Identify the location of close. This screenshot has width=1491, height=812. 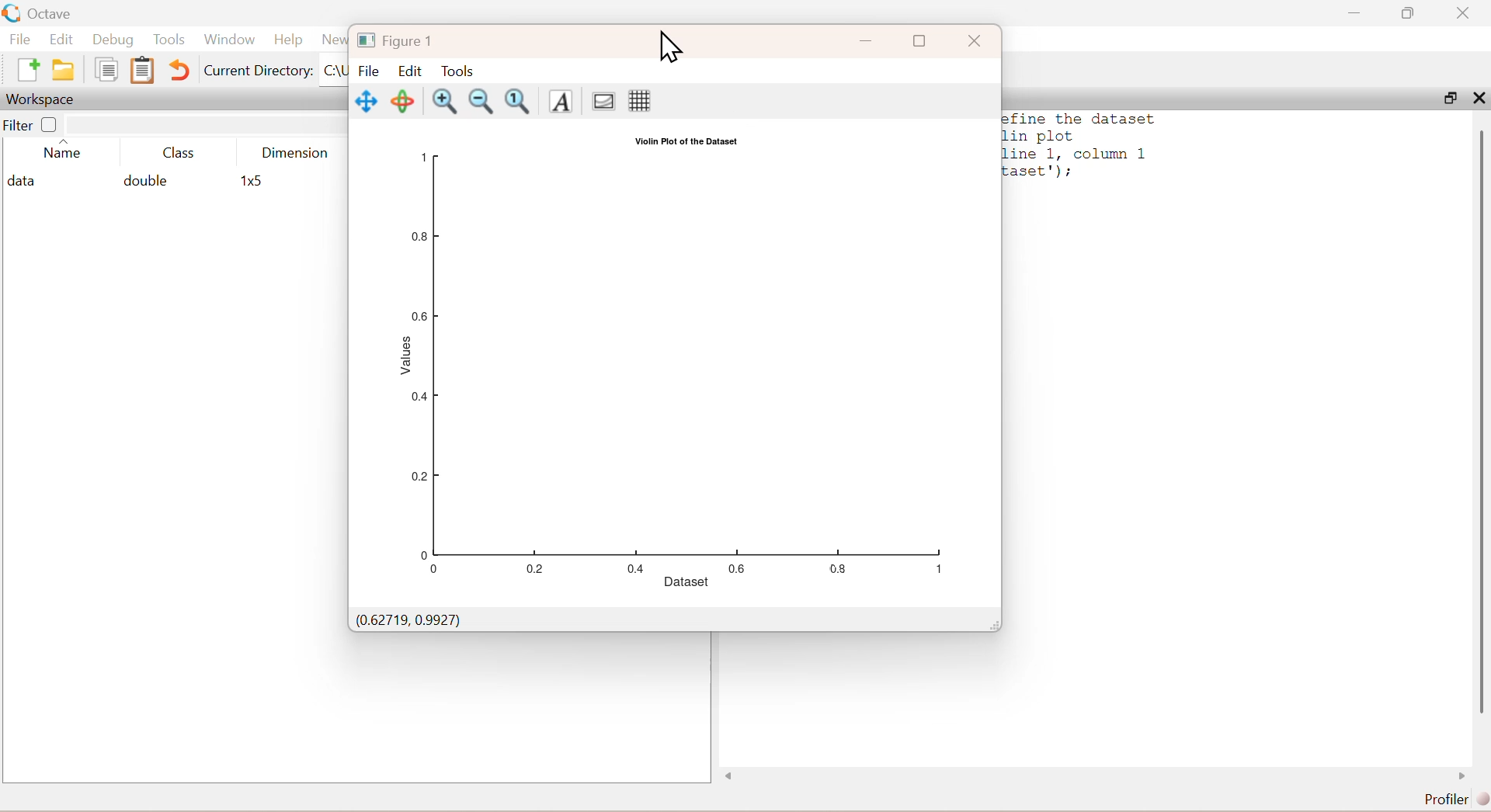
(1465, 12).